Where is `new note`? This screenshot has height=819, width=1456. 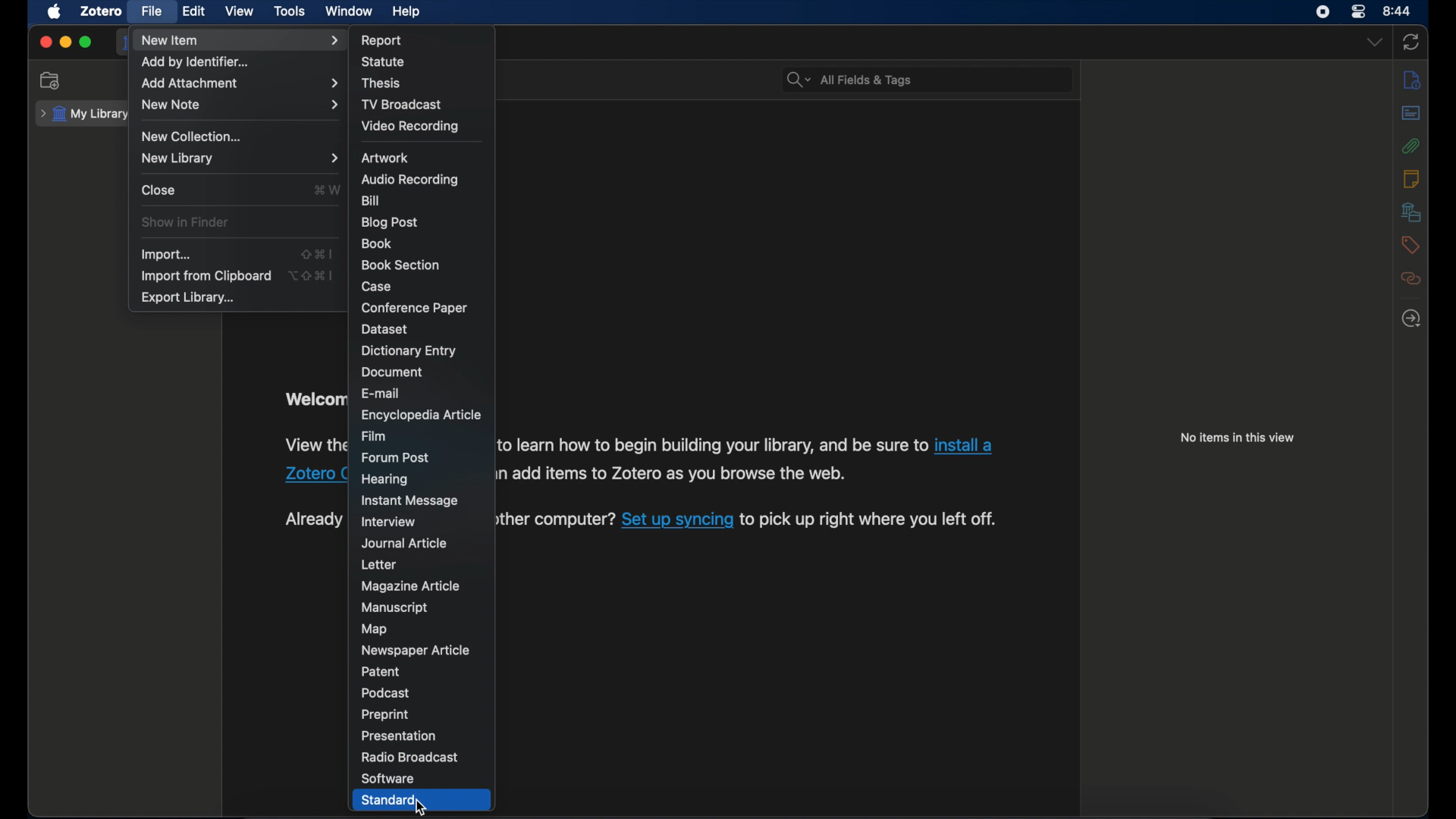
new note is located at coordinates (240, 105).